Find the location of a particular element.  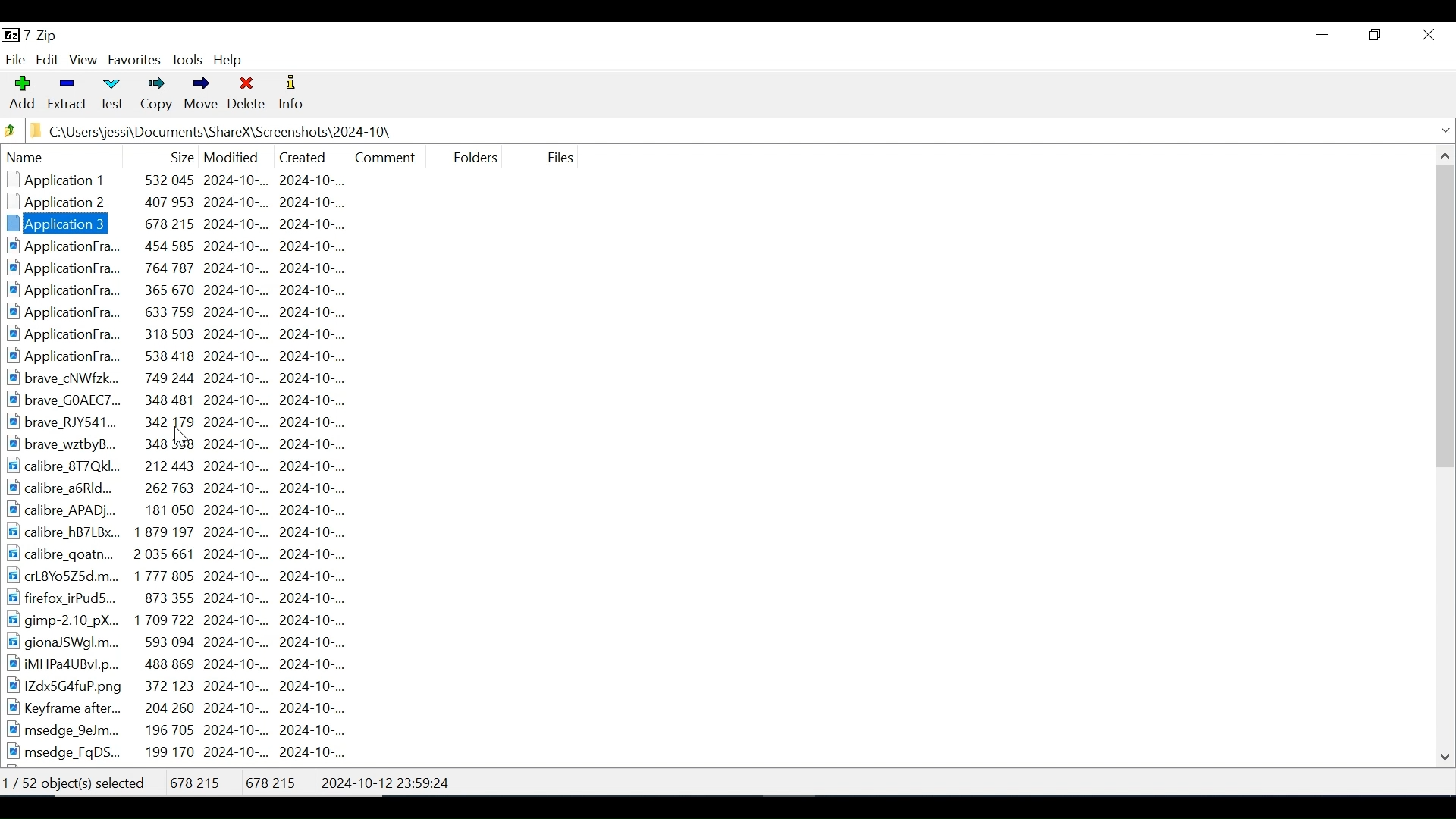

Add is located at coordinates (22, 94).